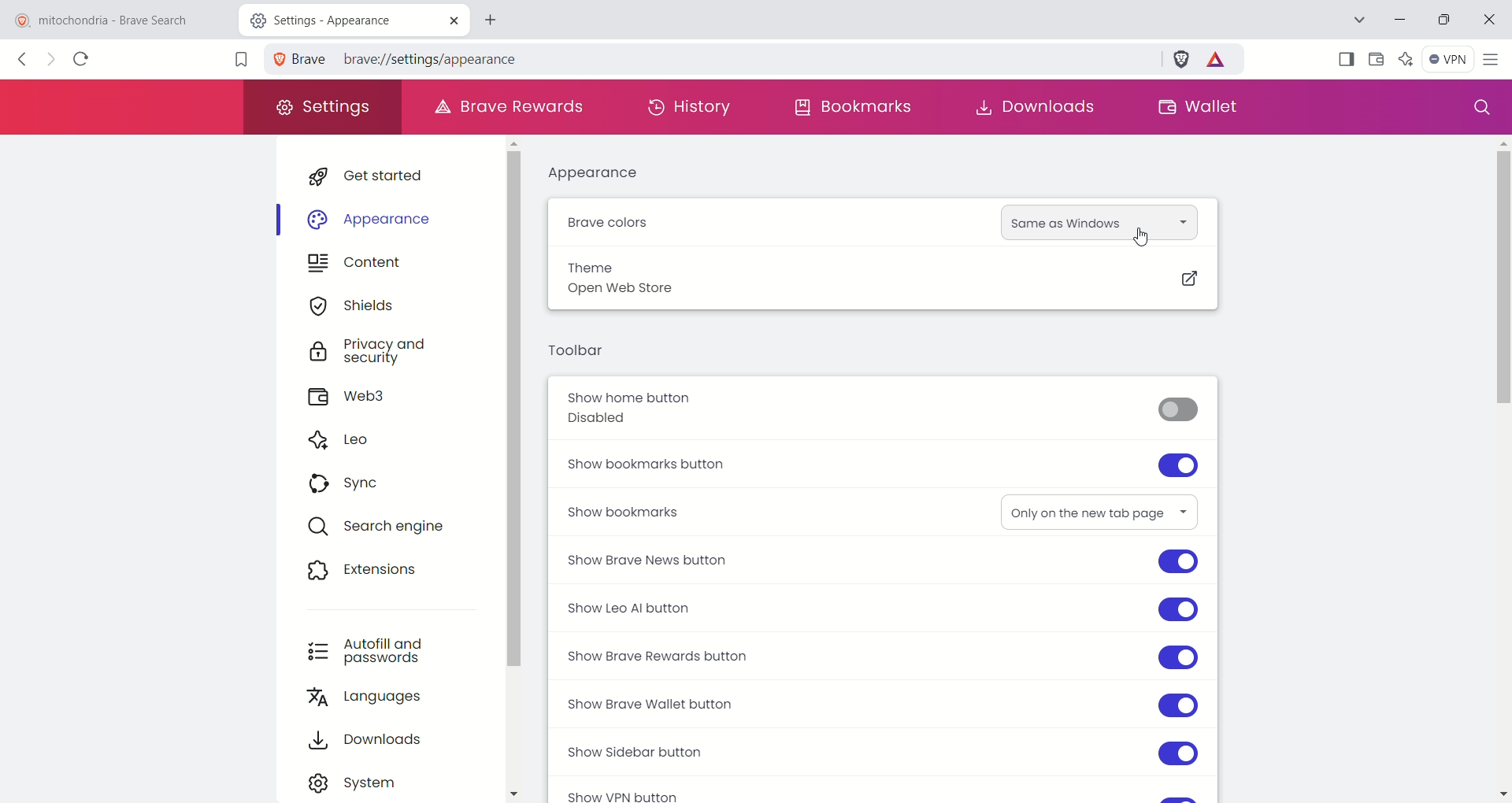 This screenshot has width=1512, height=803. What do you see at coordinates (298, 58) in the screenshot?
I see `Brave` at bounding box center [298, 58].